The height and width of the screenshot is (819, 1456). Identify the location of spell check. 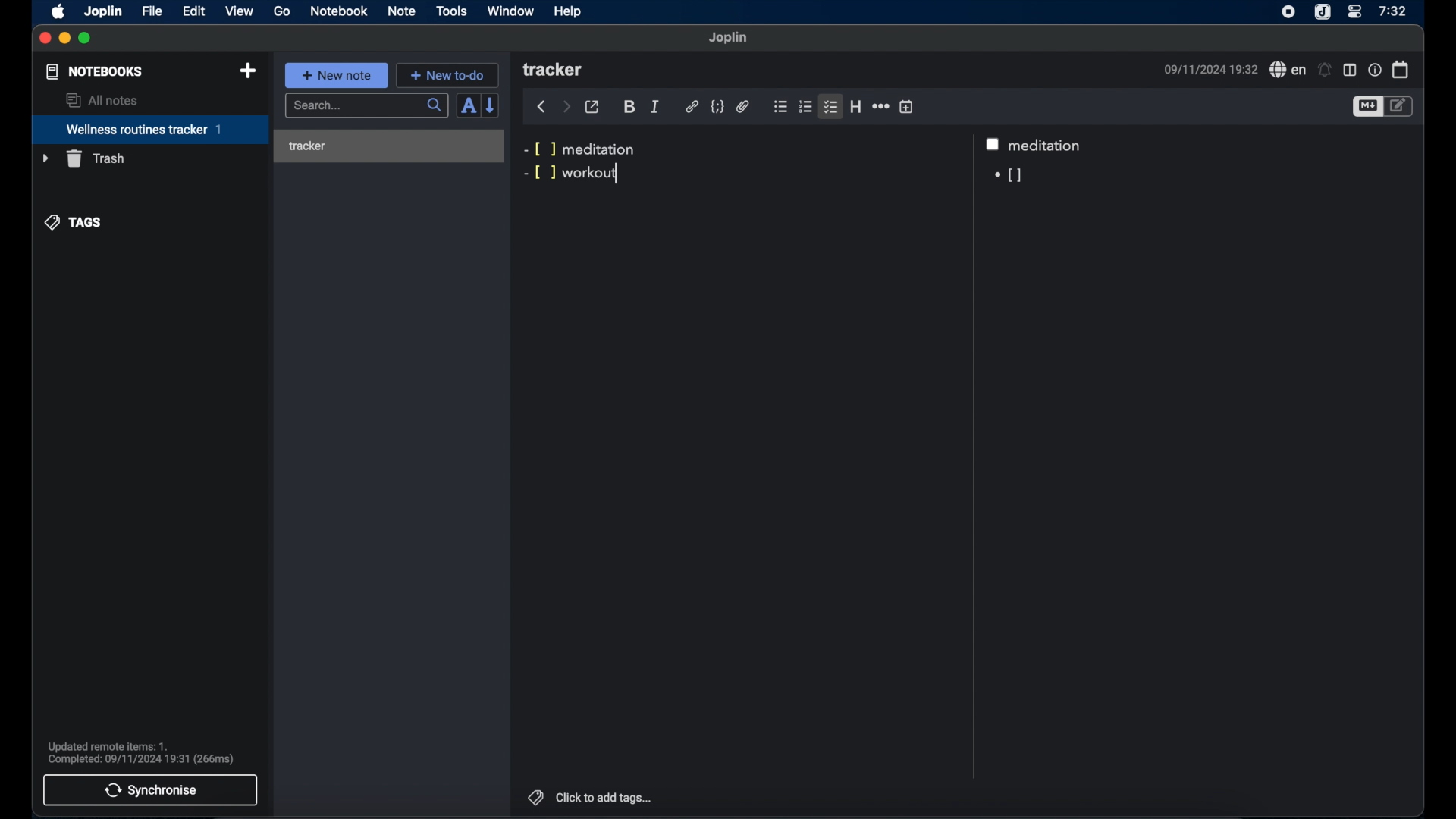
(1285, 69).